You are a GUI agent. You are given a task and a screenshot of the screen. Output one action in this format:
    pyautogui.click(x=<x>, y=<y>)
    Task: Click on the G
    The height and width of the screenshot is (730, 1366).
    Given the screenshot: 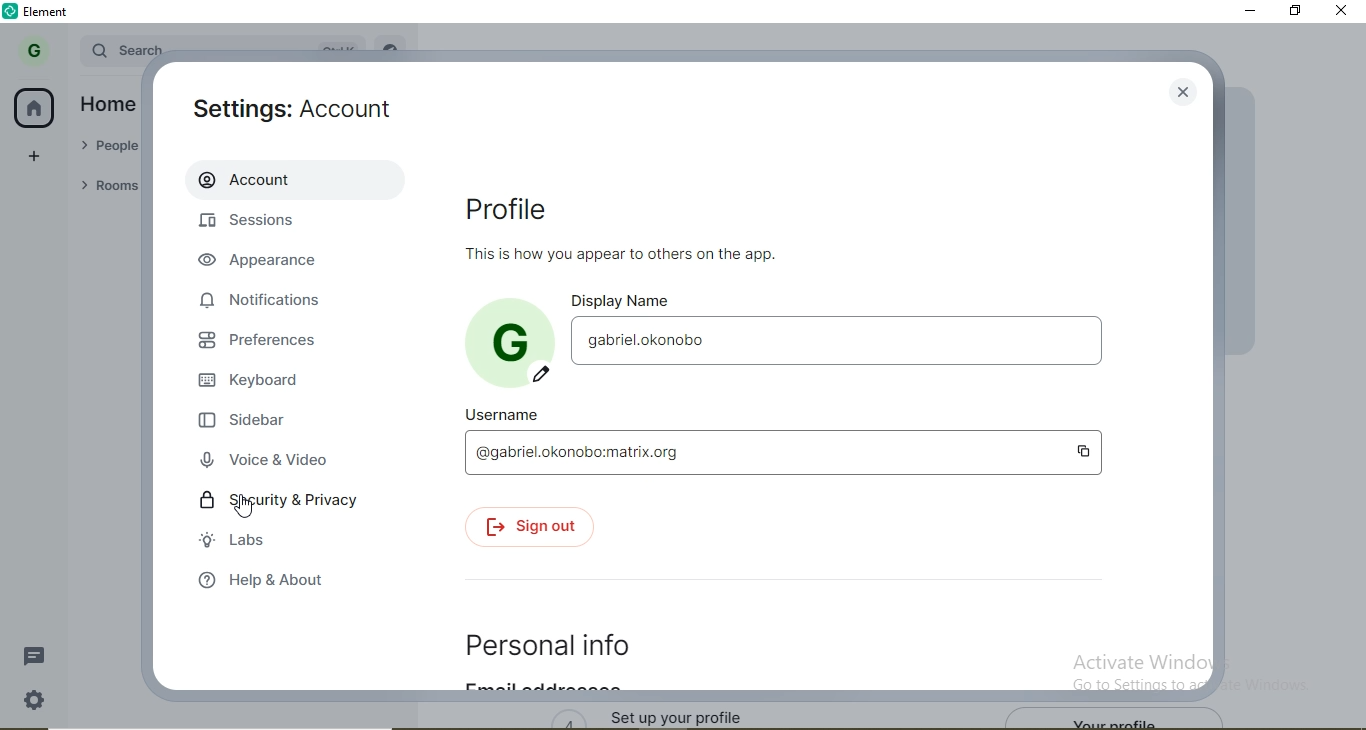 What is the action you would take?
    pyautogui.click(x=499, y=325)
    